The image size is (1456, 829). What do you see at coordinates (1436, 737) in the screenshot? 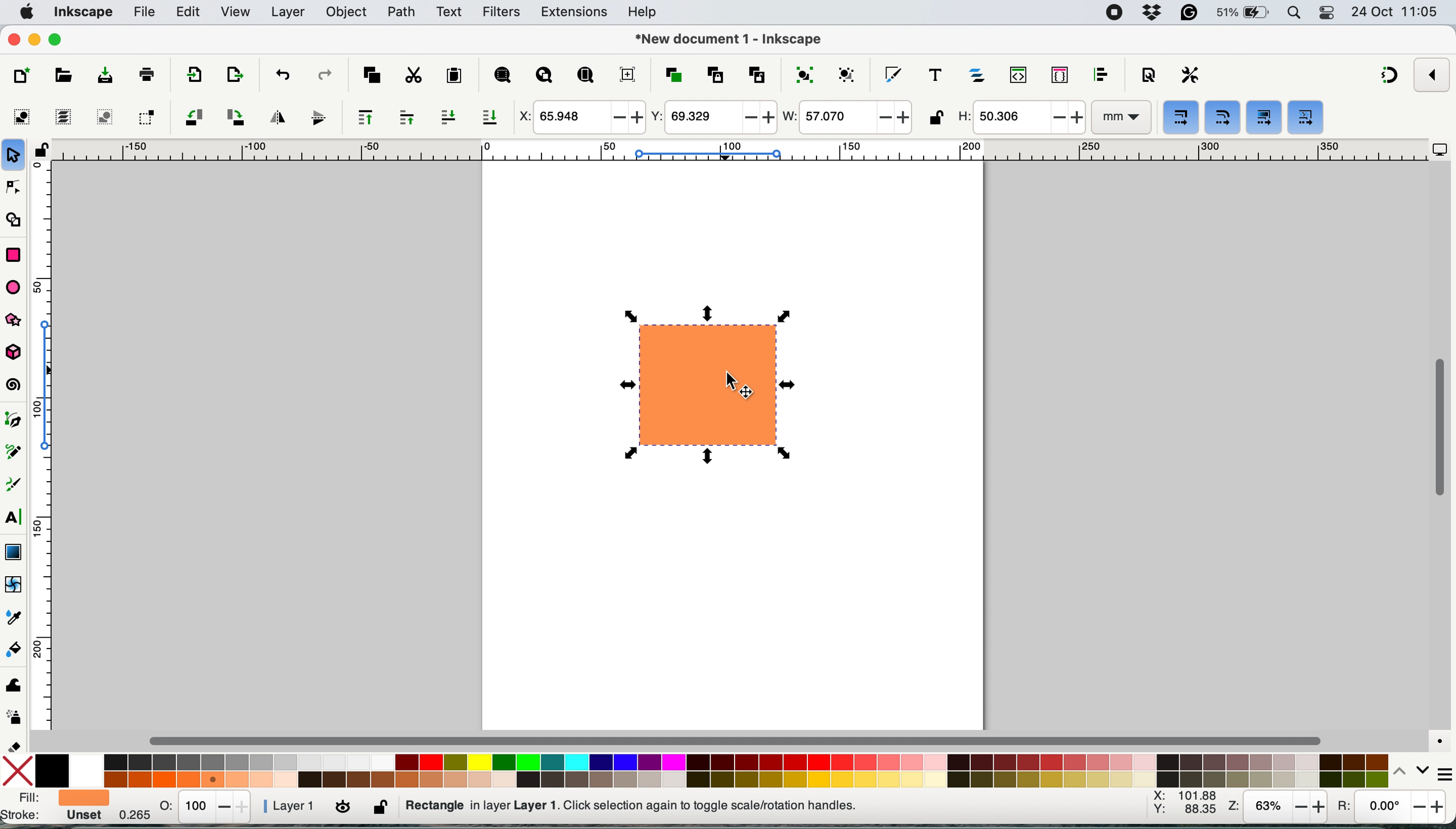
I see `color managed mode` at bounding box center [1436, 737].